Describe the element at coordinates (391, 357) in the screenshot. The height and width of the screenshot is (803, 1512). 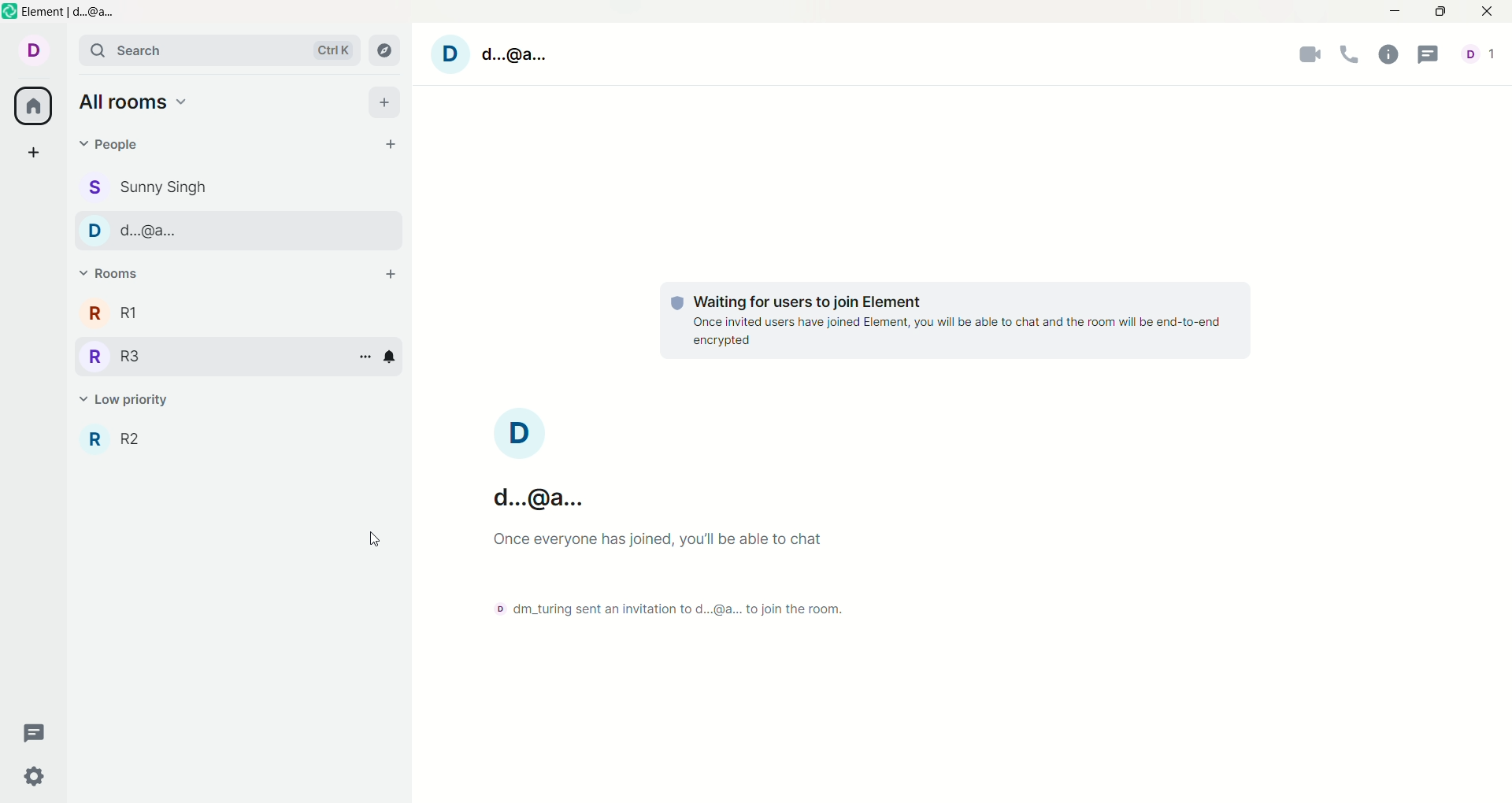
I see `NOTIFICATIONS` at that location.